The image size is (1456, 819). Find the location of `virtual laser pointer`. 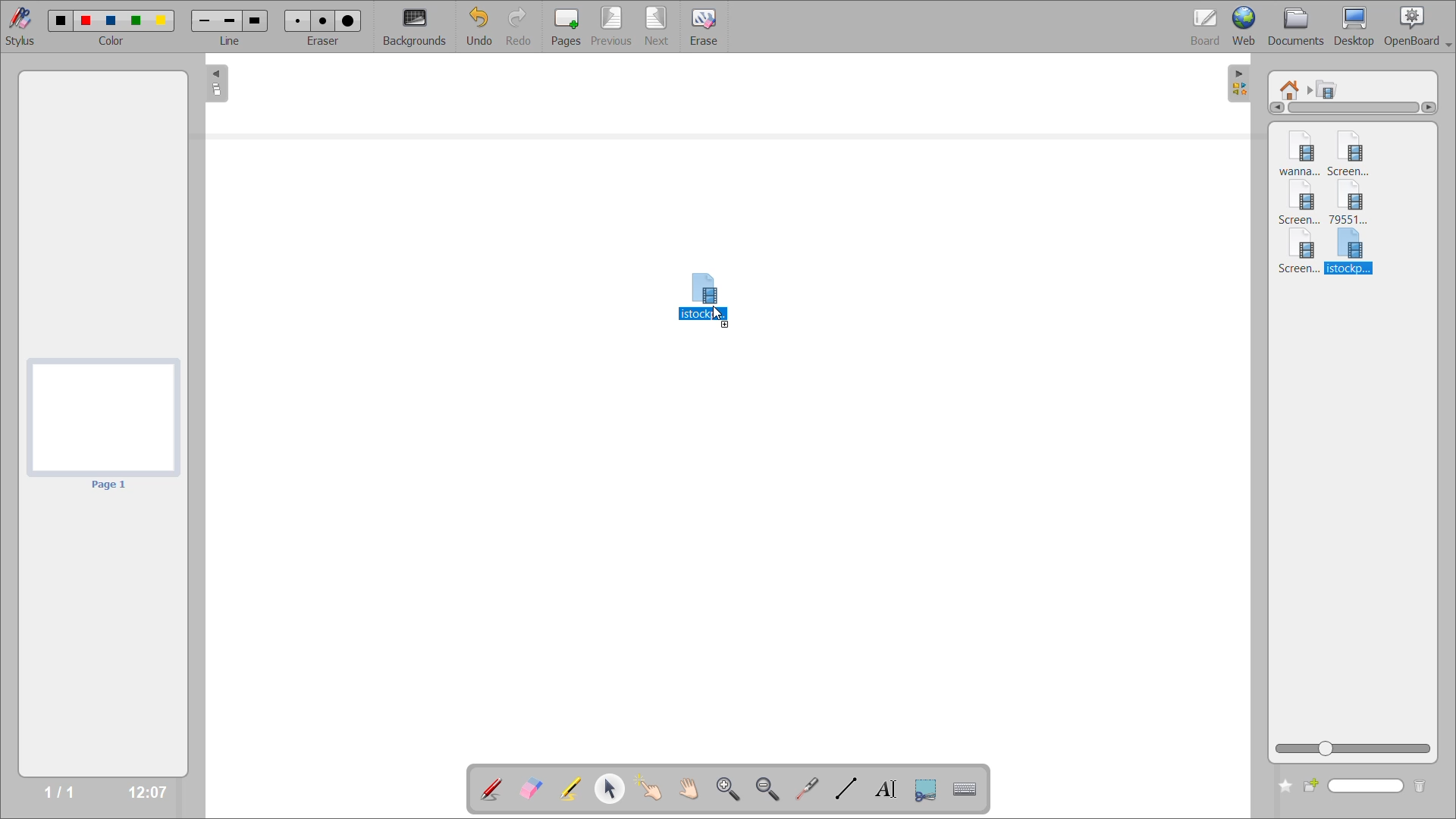

virtual laser pointer is located at coordinates (808, 788).